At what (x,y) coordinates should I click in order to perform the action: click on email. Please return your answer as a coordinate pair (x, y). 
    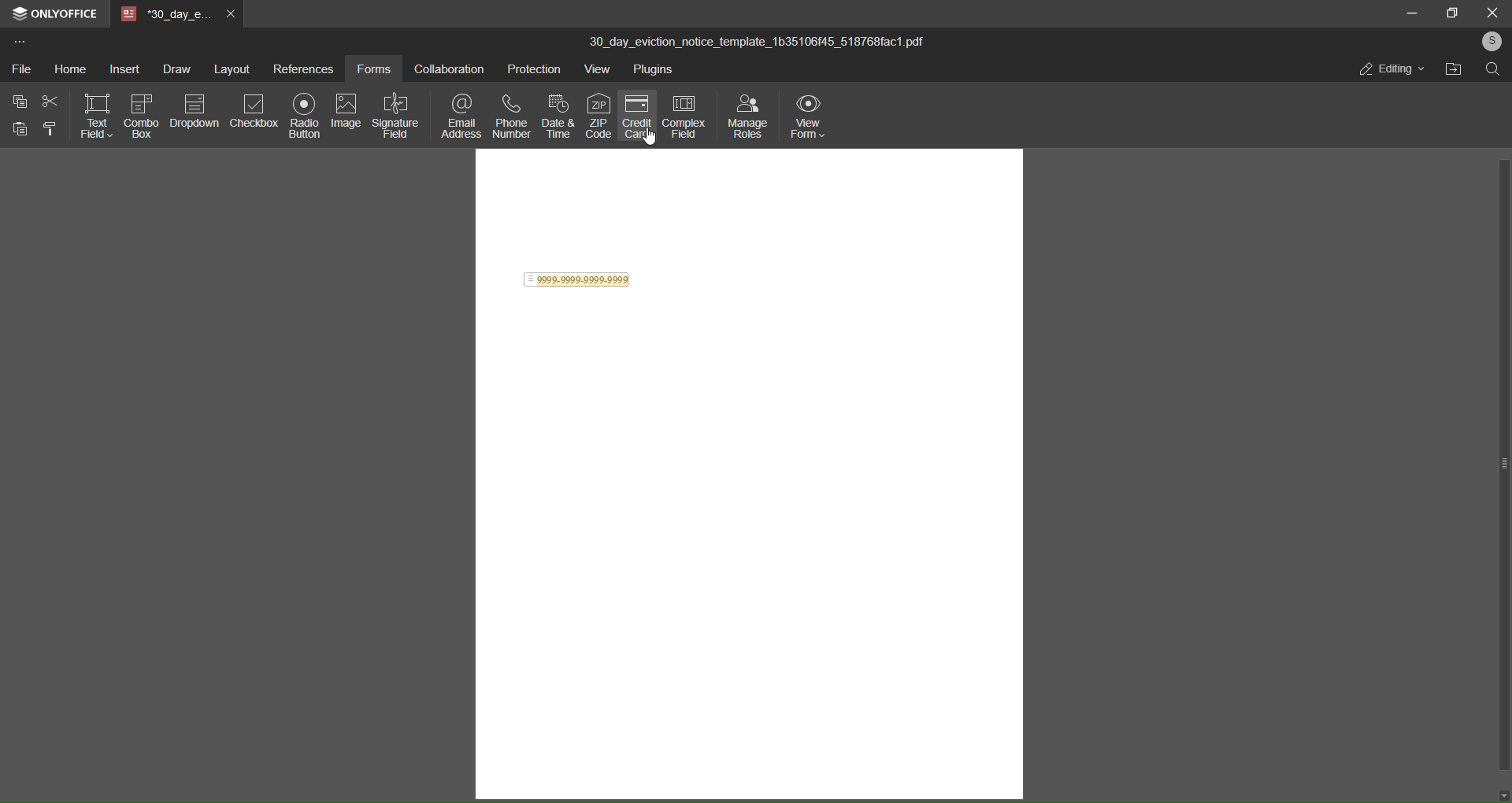
    Looking at the image, I should click on (458, 116).